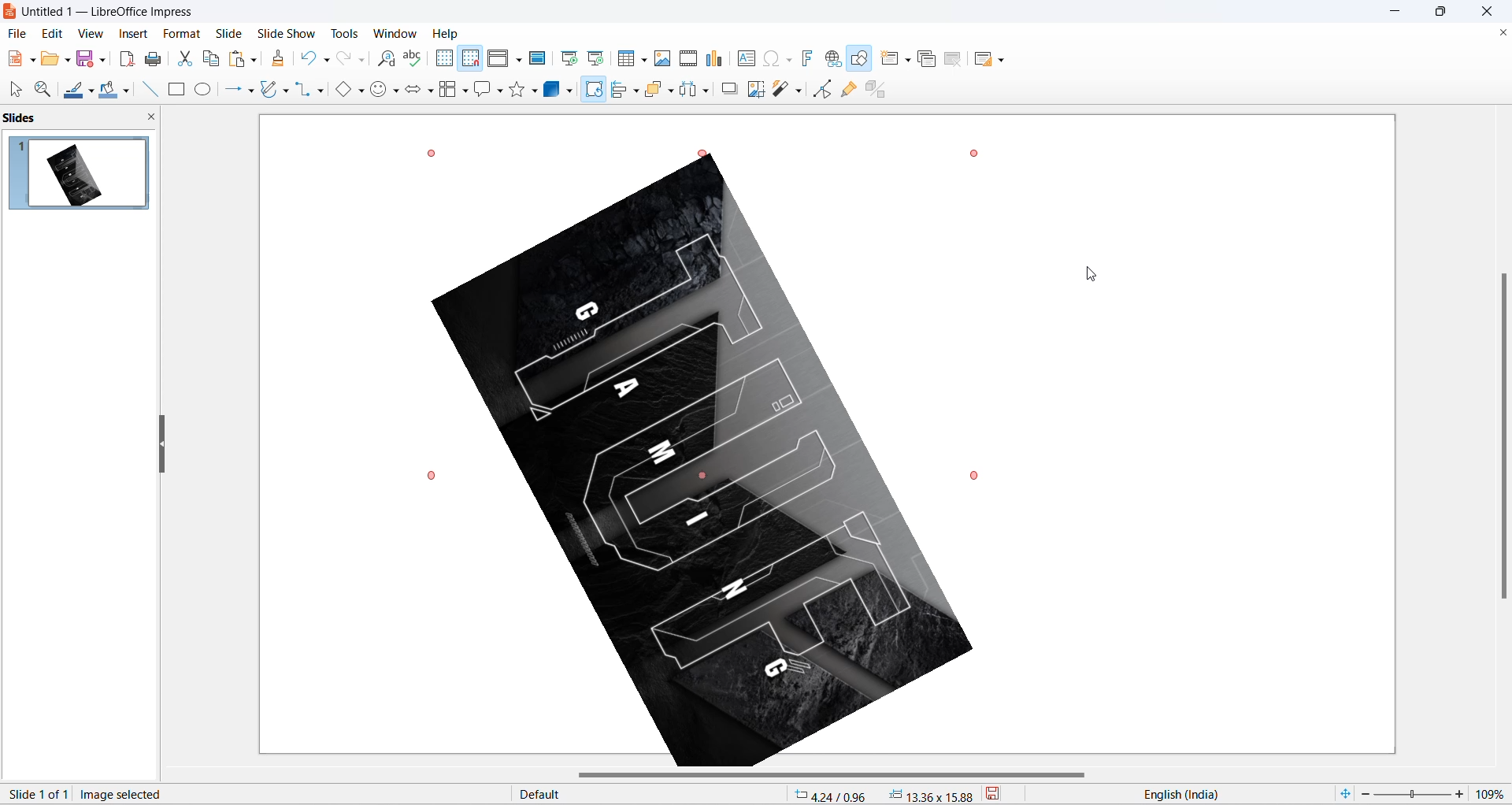  I want to click on table grid, so click(645, 60).